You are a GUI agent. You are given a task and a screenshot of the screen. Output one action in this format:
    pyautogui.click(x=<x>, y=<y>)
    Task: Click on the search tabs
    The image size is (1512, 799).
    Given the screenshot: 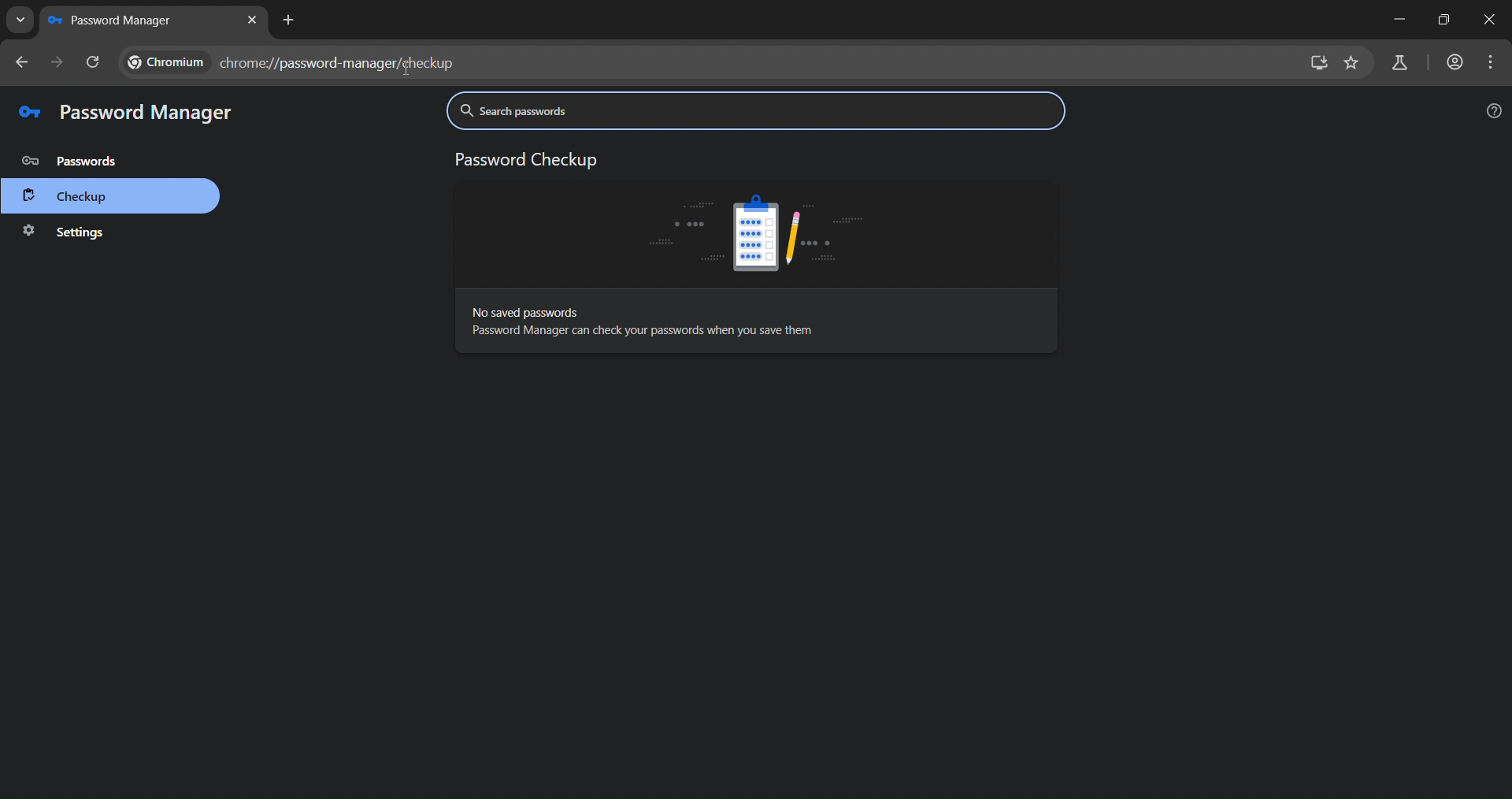 What is the action you would take?
    pyautogui.click(x=18, y=20)
    